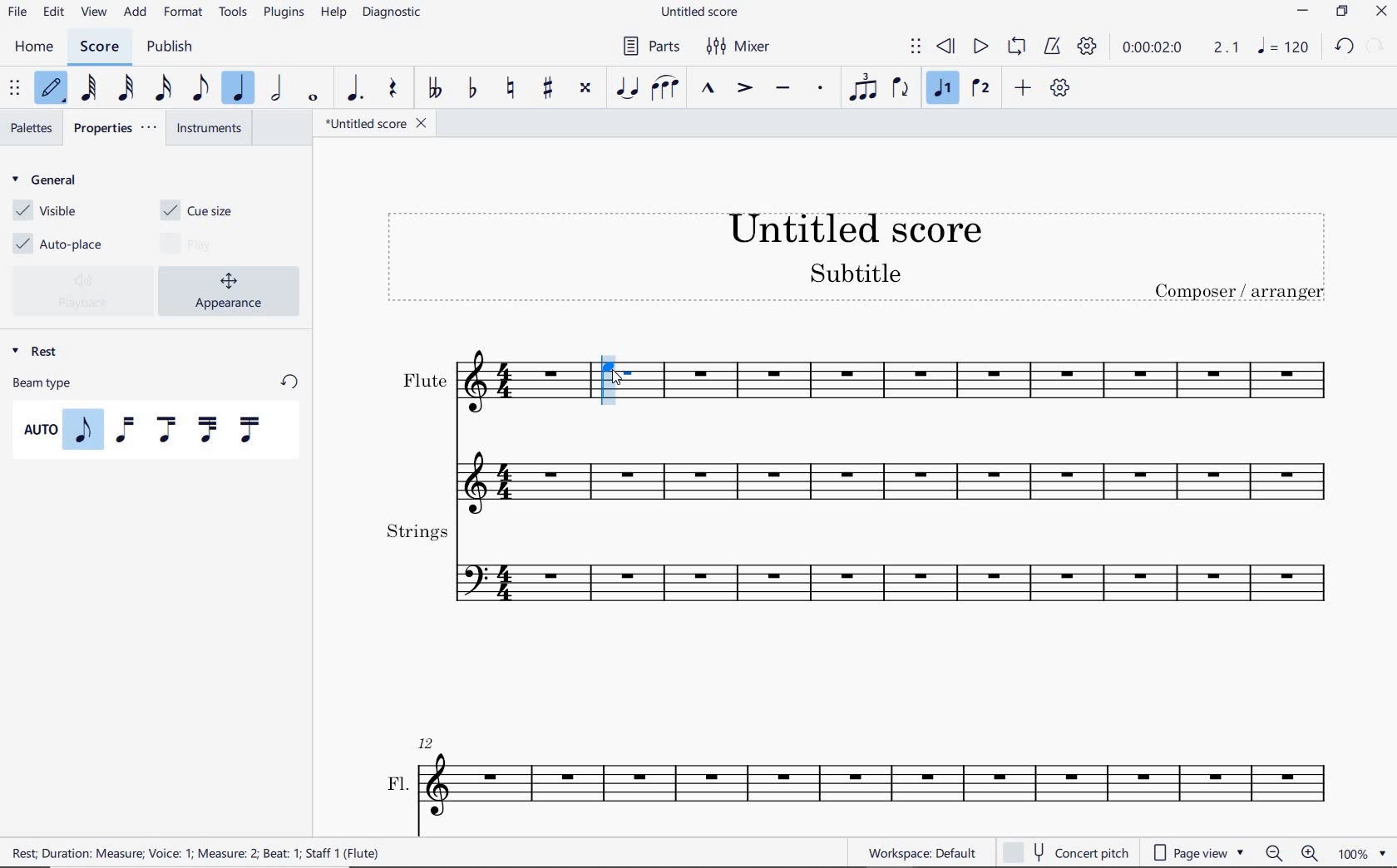  Describe the element at coordinates (856, 567) in the screenshot. I see `strings` at that location.